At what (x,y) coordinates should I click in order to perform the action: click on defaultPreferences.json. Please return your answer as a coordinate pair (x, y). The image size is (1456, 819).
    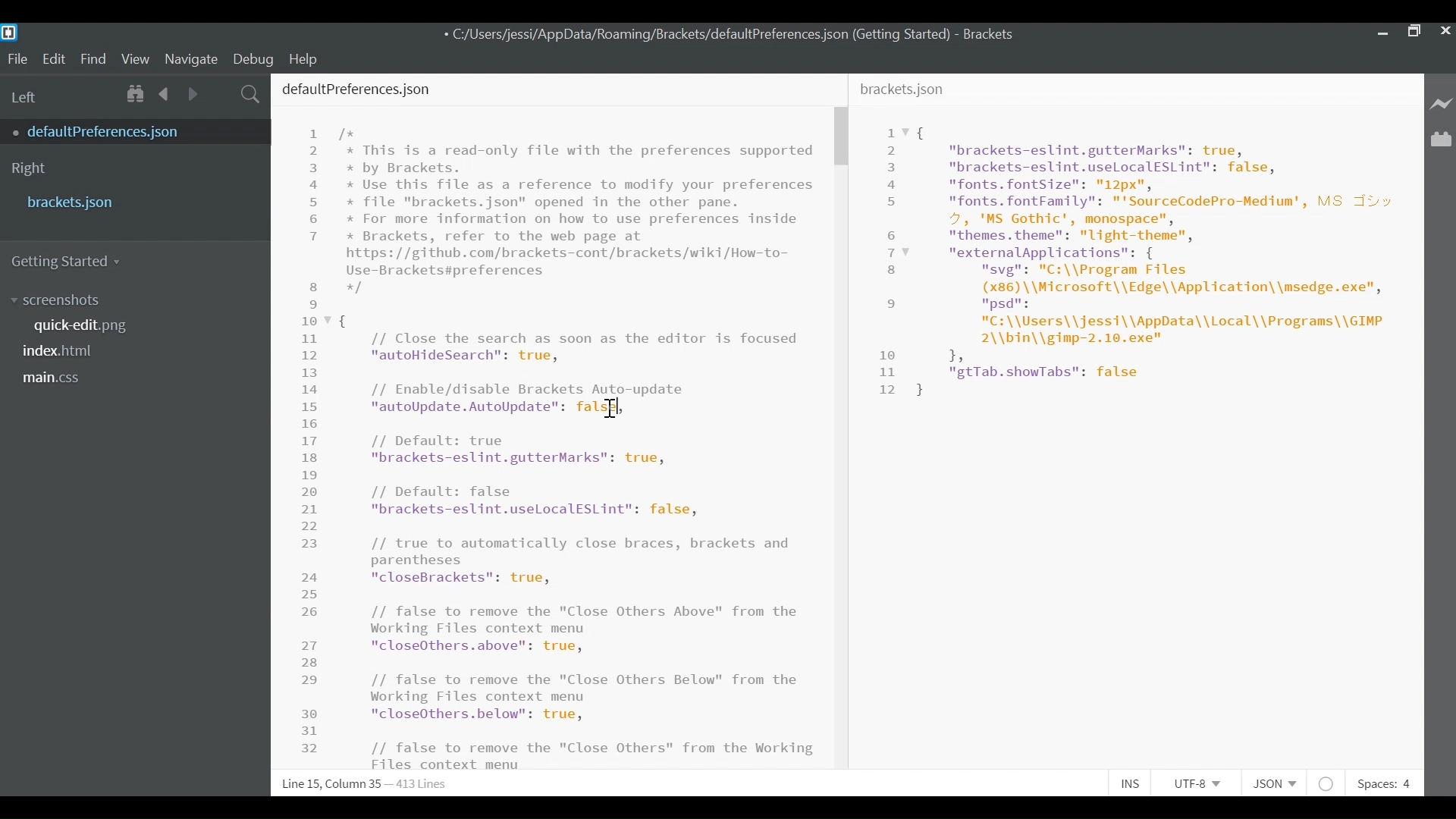
    Looking at the image, I should click on (124, 131).